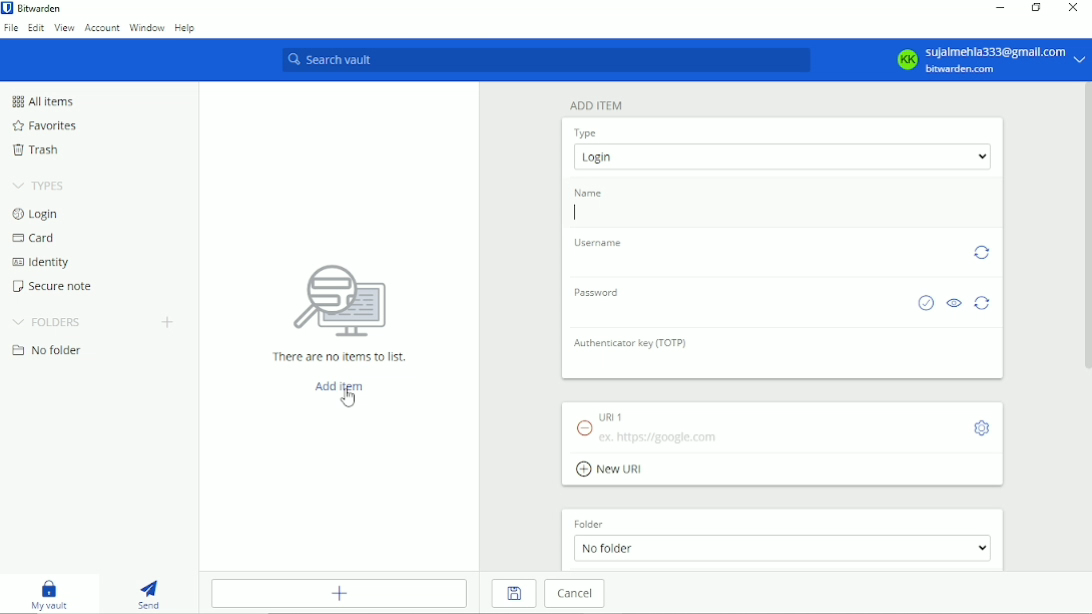  What do you see at coordinates (778, 213) in the screenshot?
I see `add name` at bounding box center [778, 213].